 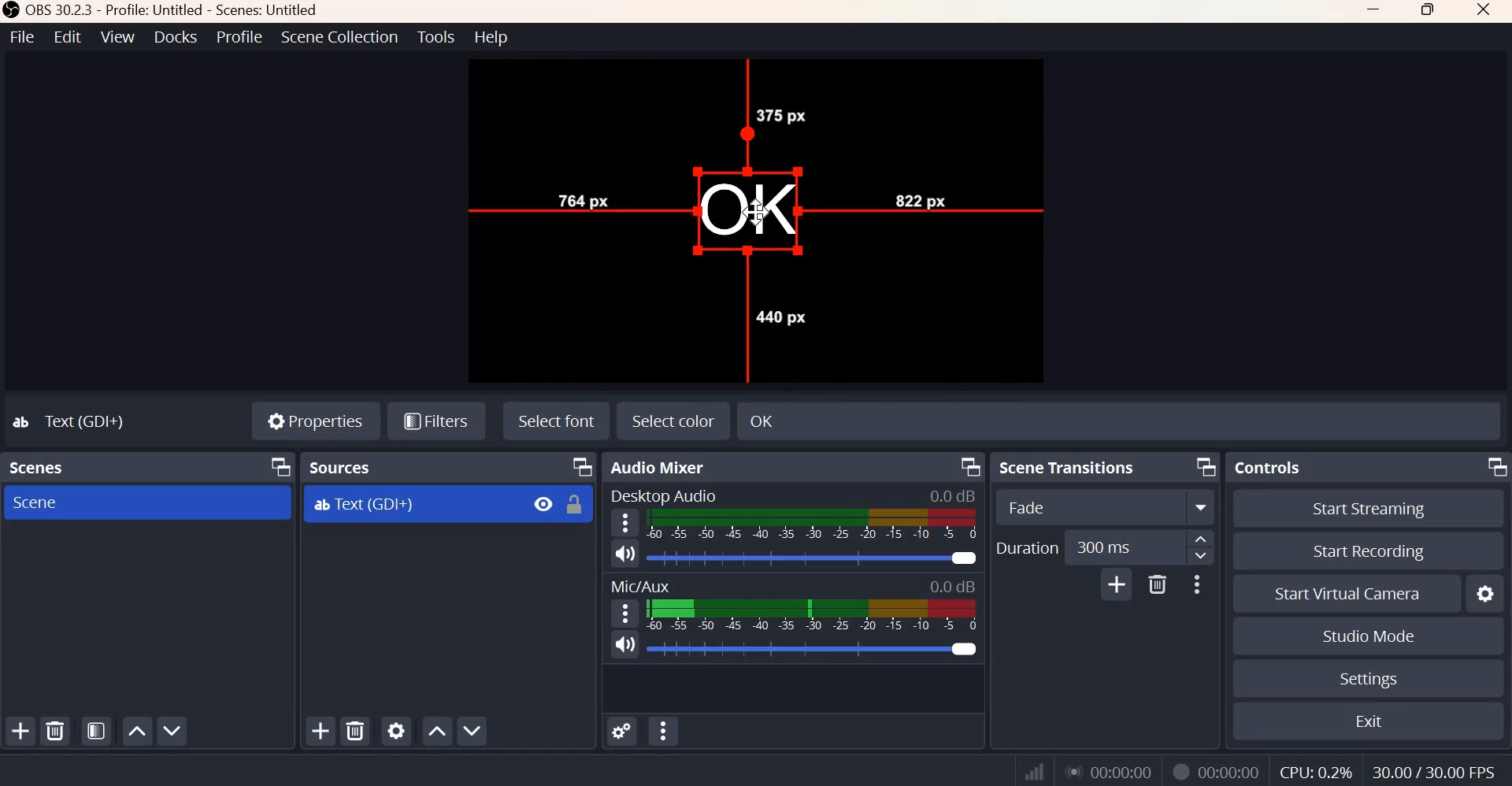 I want to click on Advanced Audio Properties, so click(x=621, y=731).